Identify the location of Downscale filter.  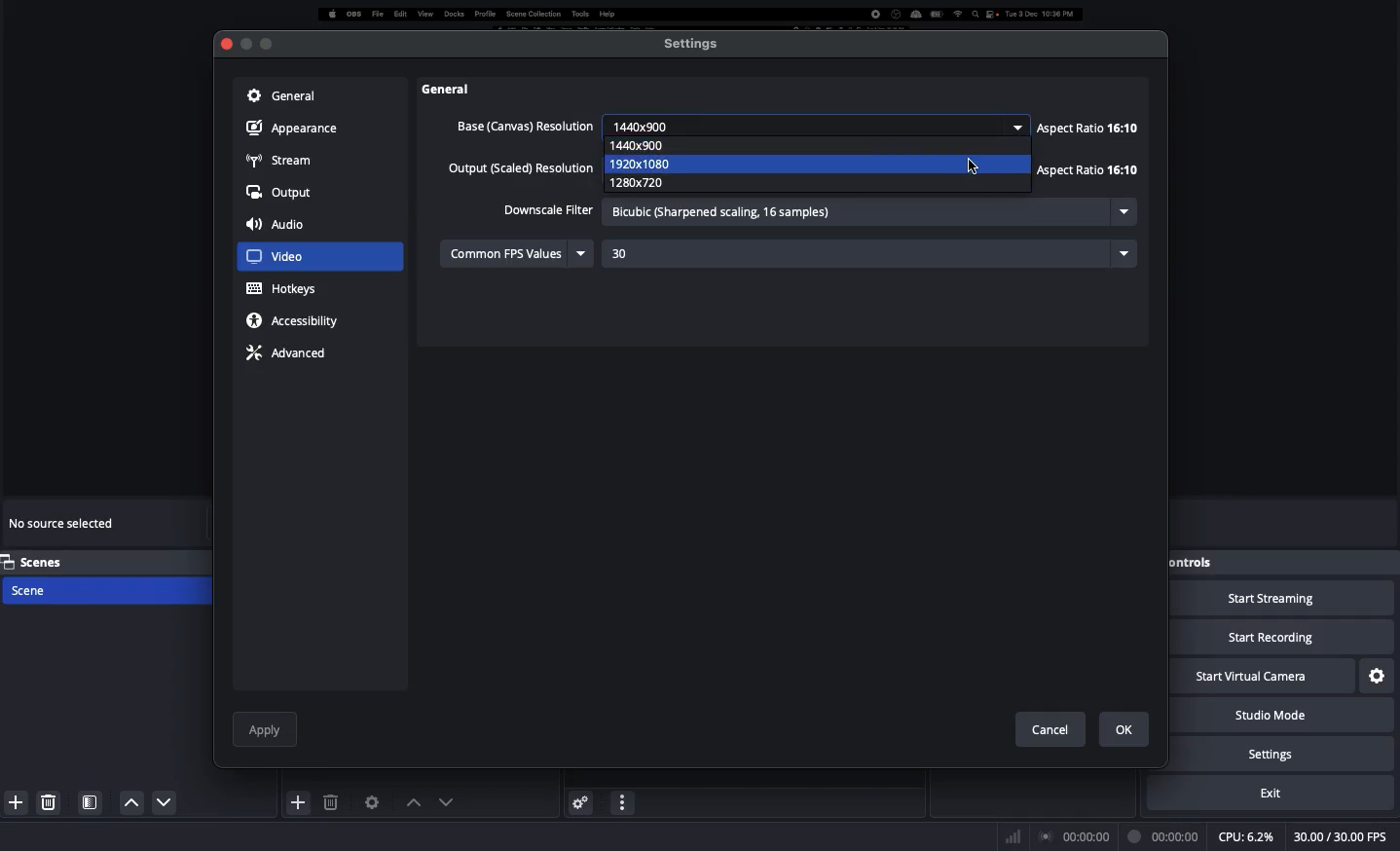
(548, 208).